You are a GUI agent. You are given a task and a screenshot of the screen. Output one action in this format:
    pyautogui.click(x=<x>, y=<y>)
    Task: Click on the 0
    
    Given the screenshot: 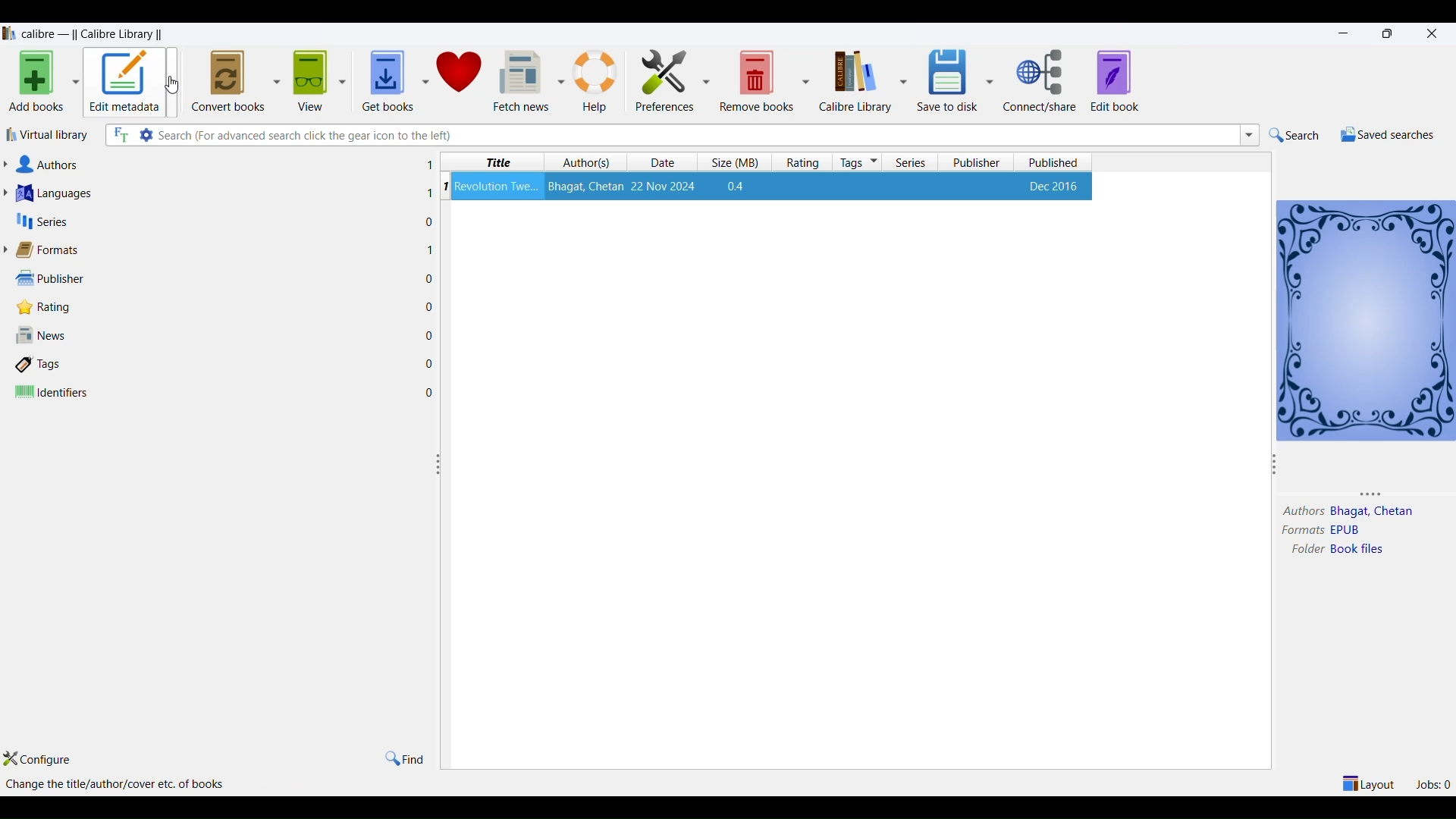 What is the action you would take?
    pyautogui.click(x=431, y=363)
    